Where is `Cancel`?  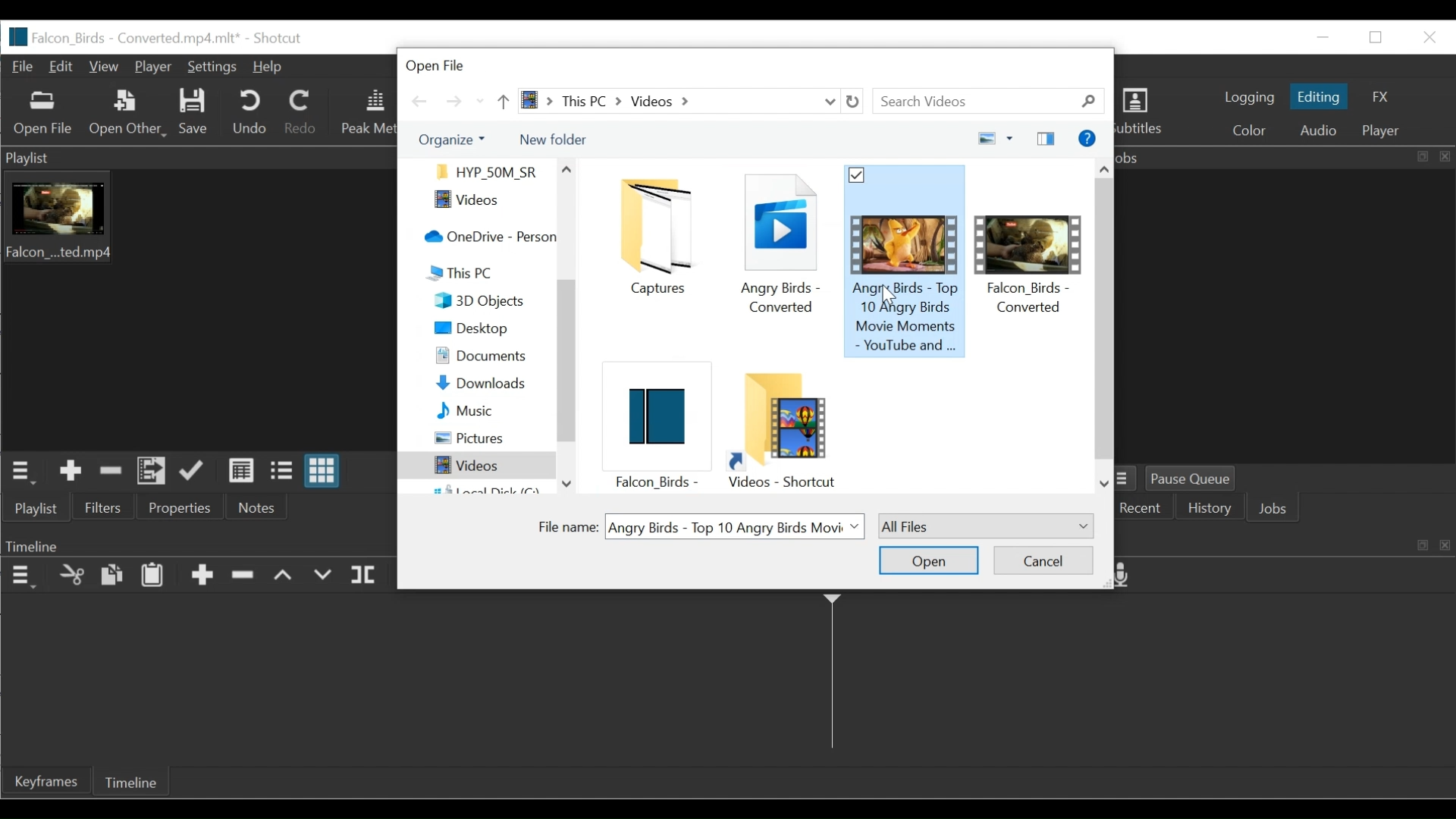
Cancel is located at coordinates (1043, 558).